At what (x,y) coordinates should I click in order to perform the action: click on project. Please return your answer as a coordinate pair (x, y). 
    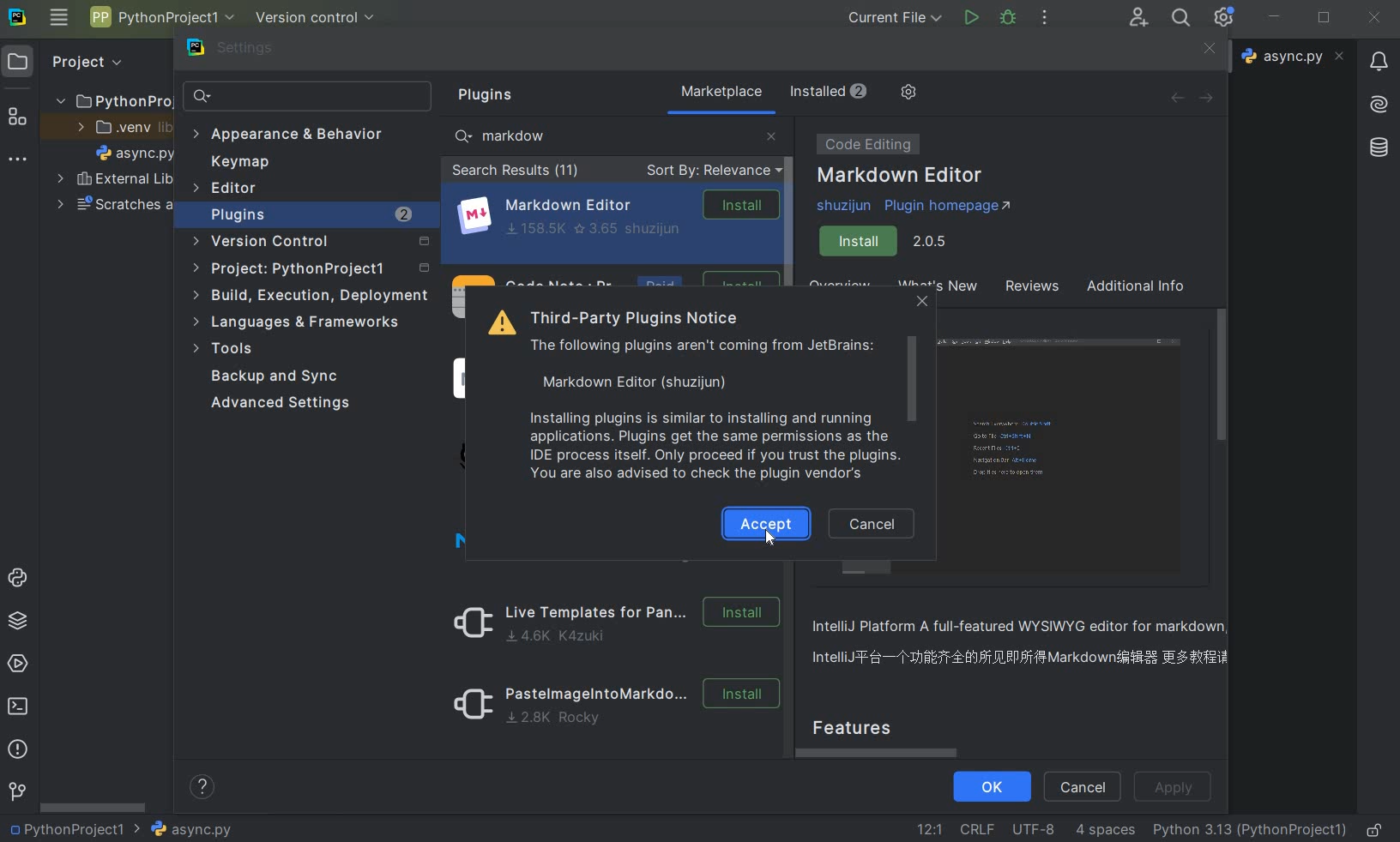
    Looking at the image, I should click on (309, 270).